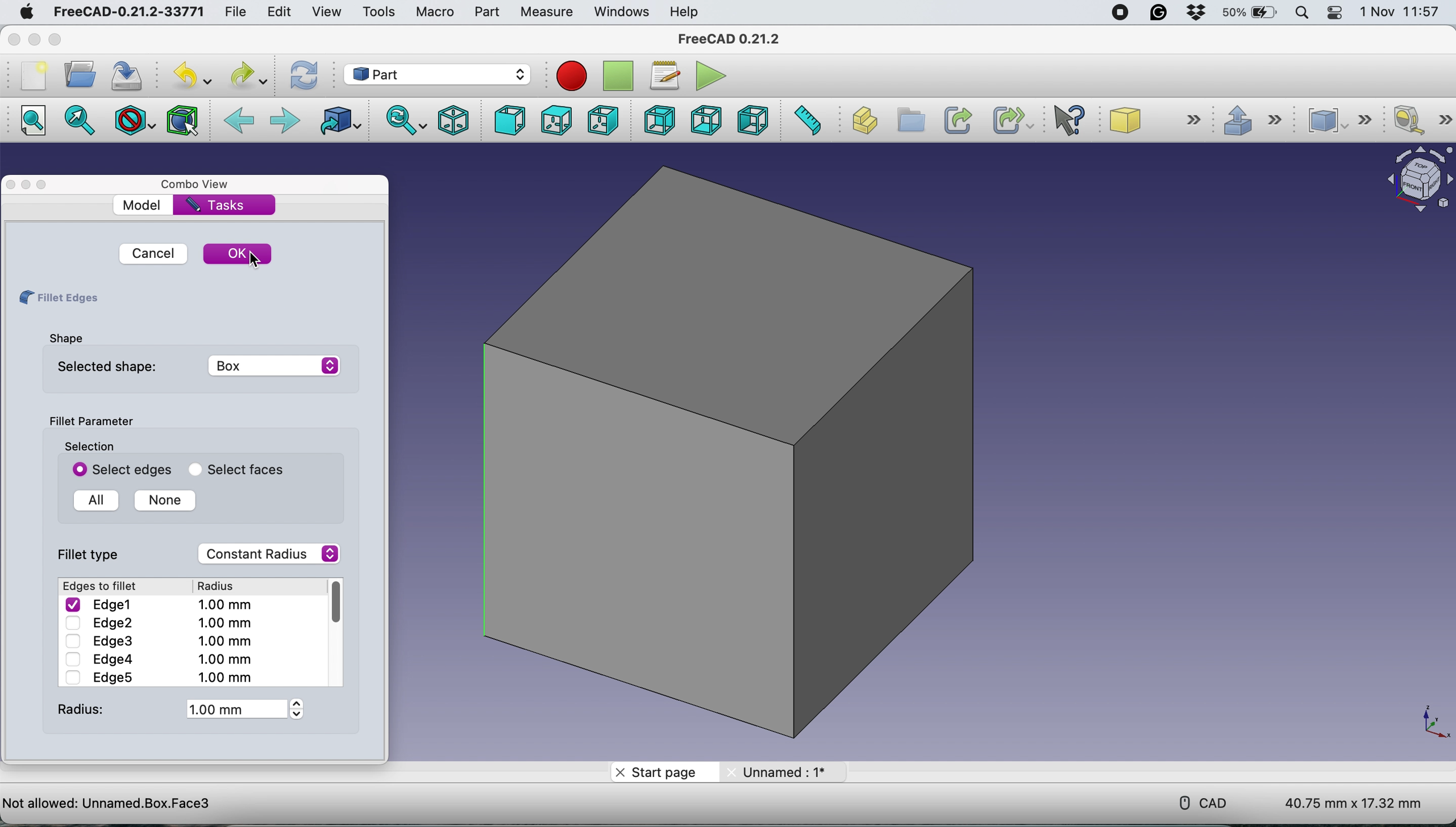 The image size is (1456, 827). Describe the element at coordinates (90, 421) in the screenshot. I see `Fillet Parameter` at that location.